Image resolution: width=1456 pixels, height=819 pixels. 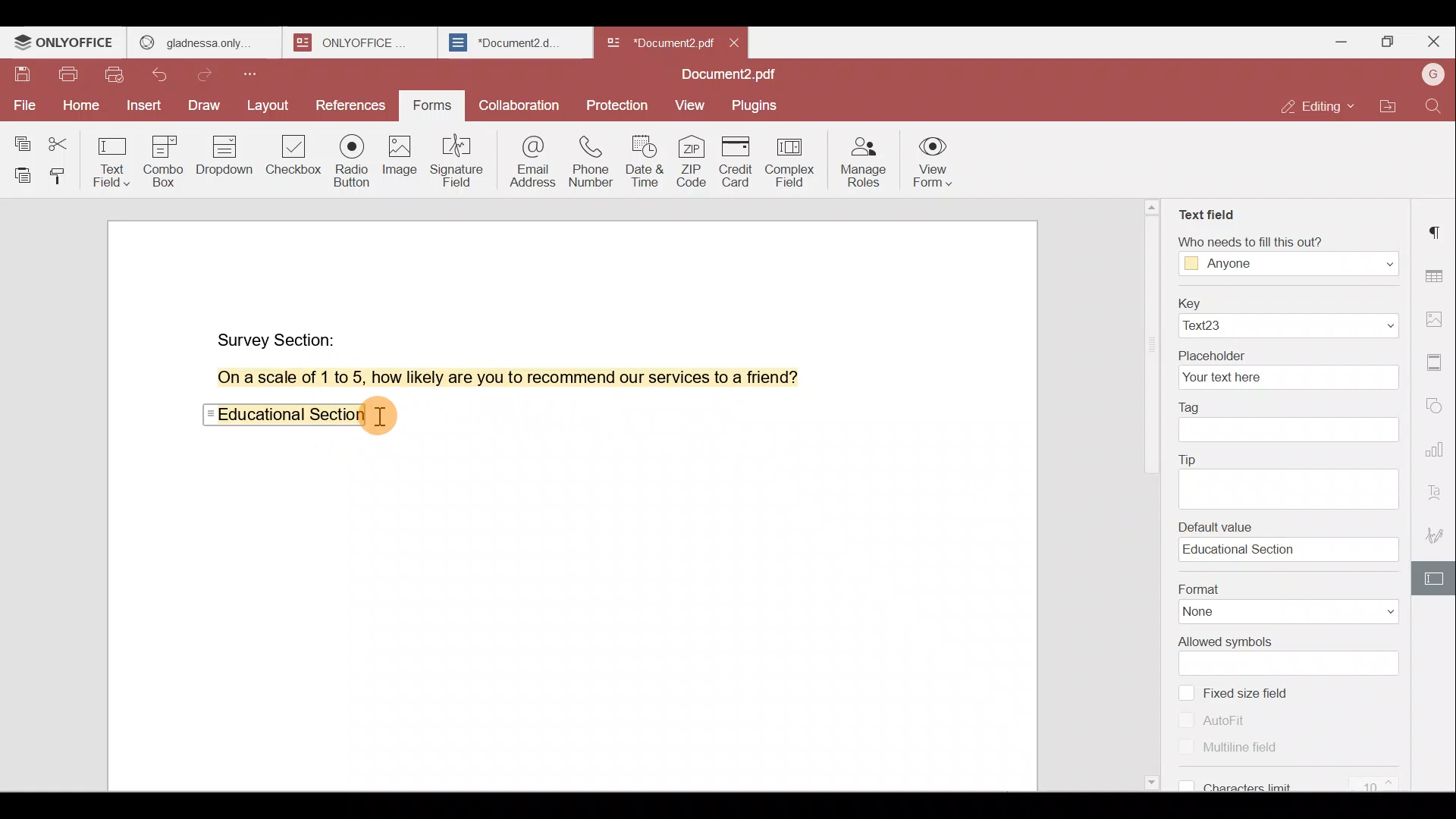 I want to click on Educational Section, so click(x=285, y=418).